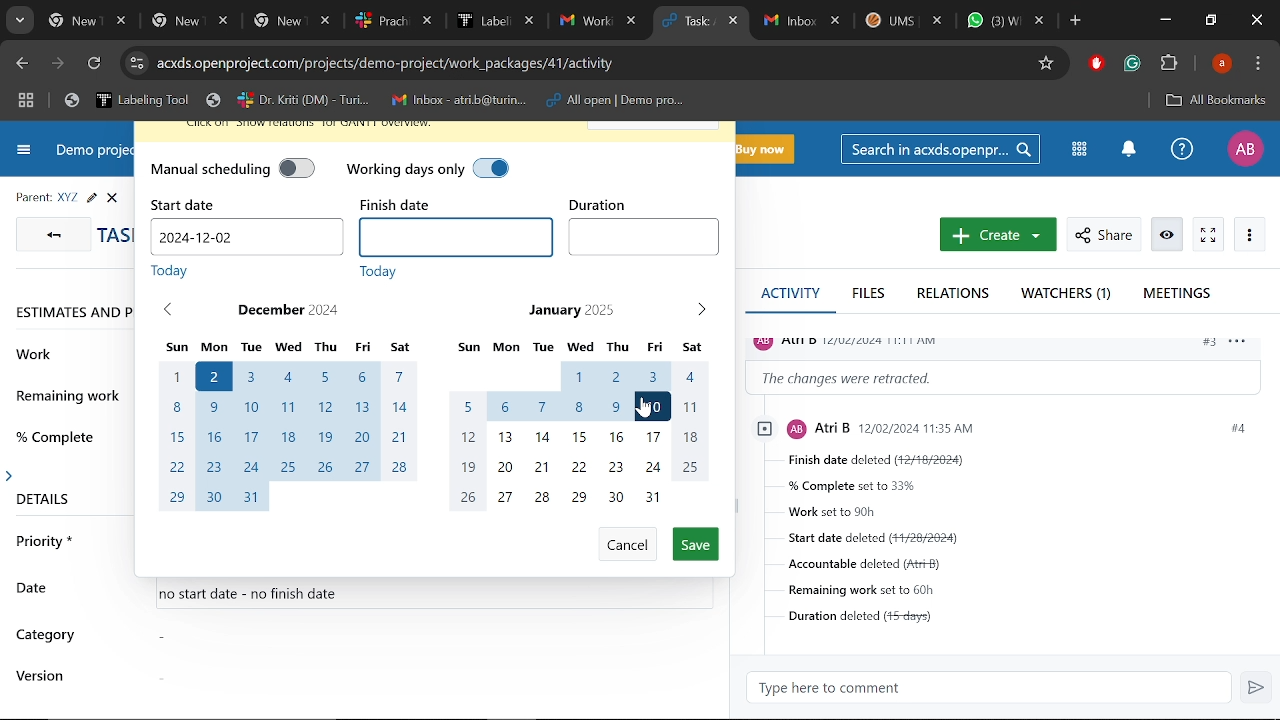 The image size is (1280, 720). What do you see at coordinates (50, 233) in the screenshot?
I see `GO back` at bounding box center [50, 233].